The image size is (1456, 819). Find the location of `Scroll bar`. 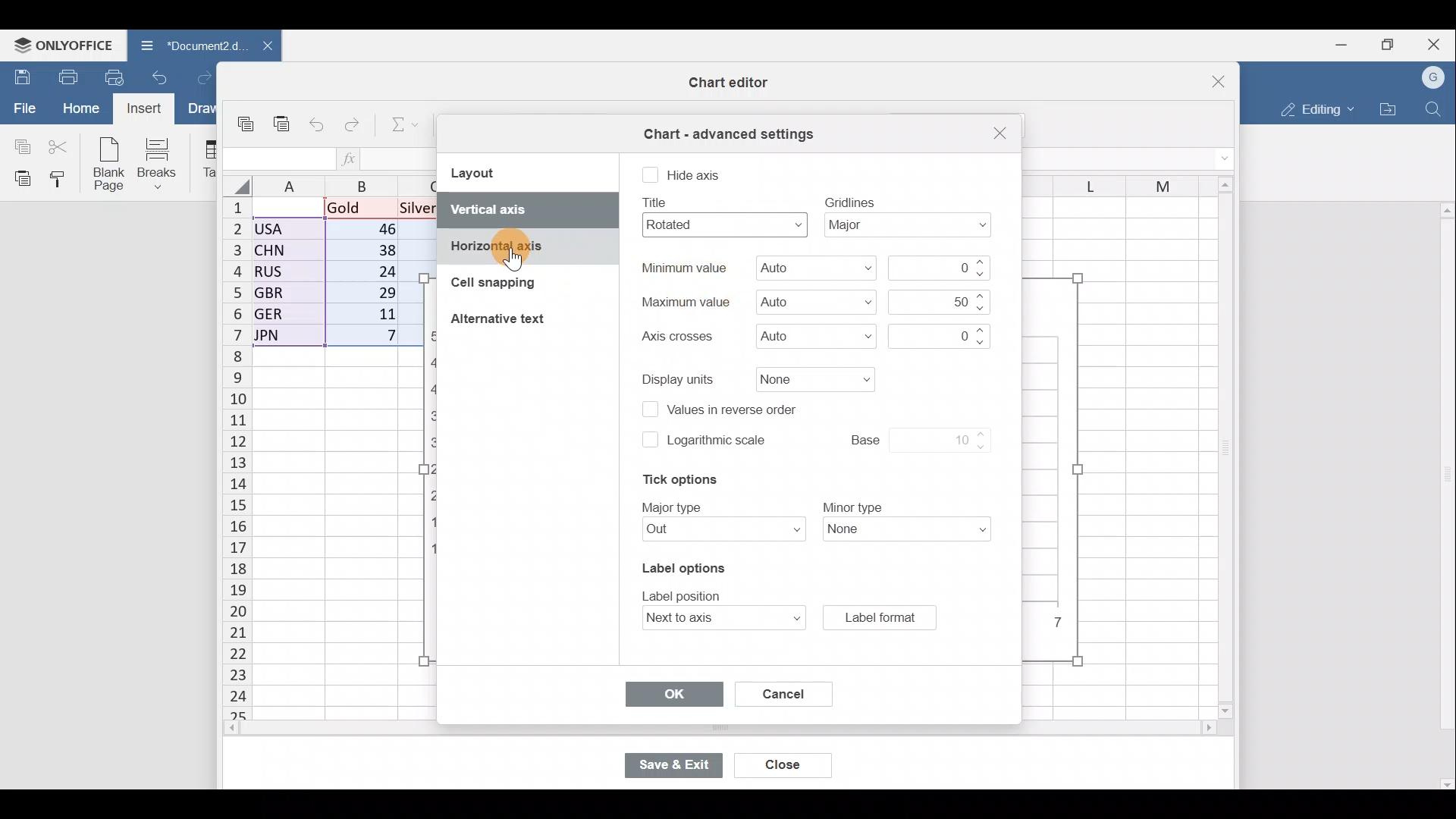

Scroll bar is located at coordinates (1220, 449).